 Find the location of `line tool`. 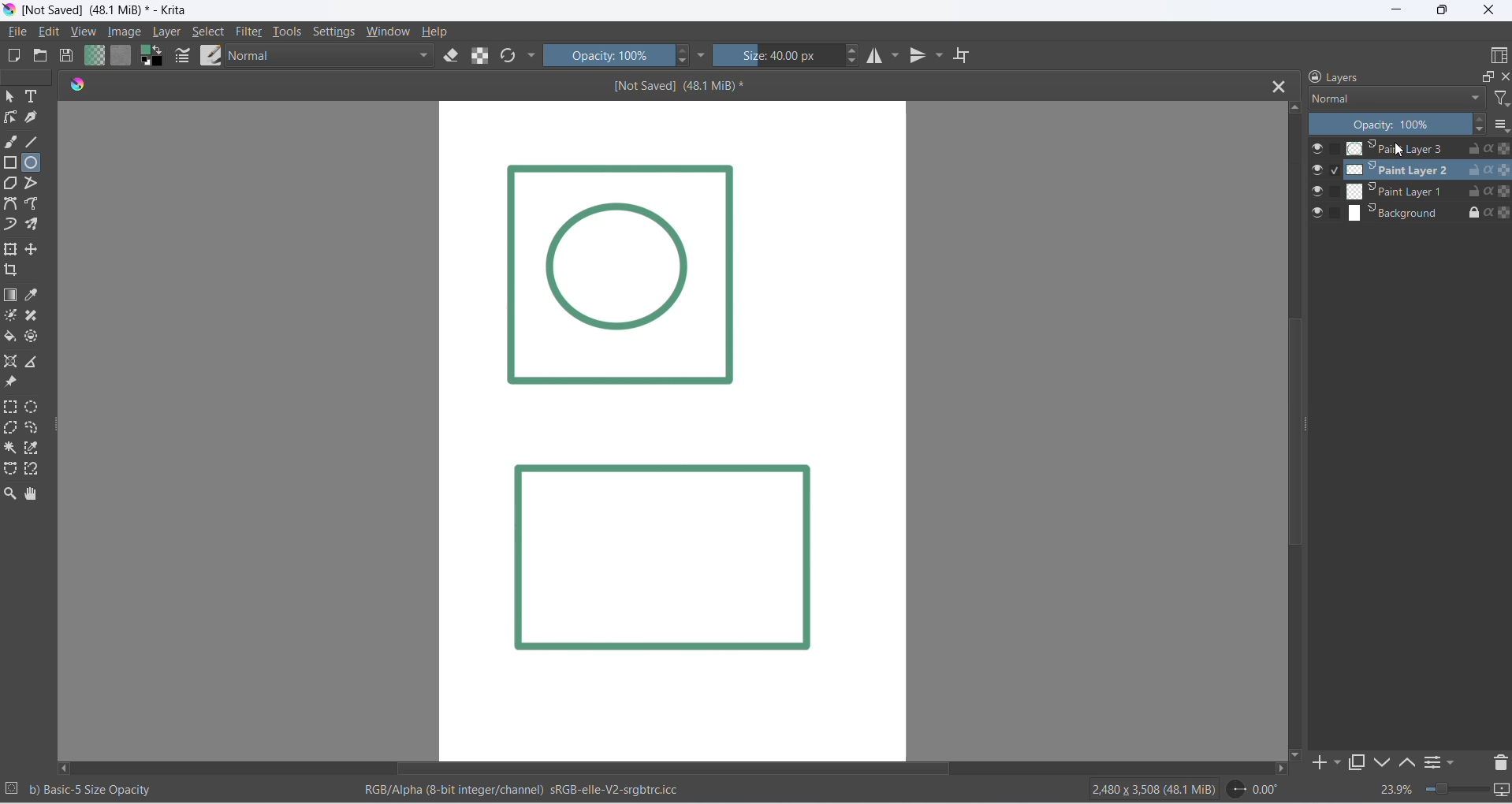

line tool is located at coordinates (35, 141).